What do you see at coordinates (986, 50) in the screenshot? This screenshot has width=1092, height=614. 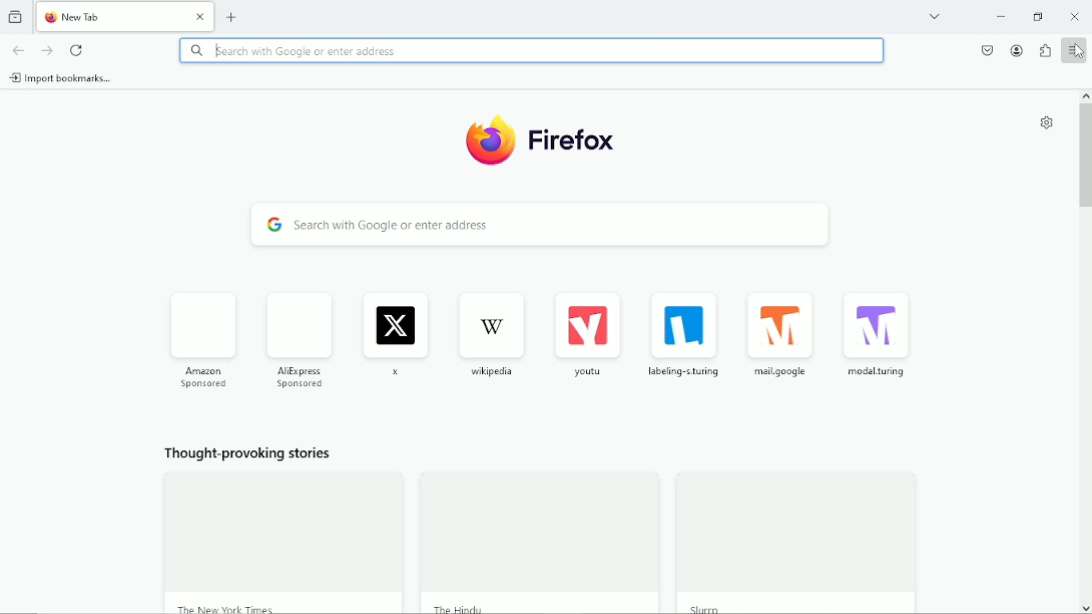 I see `save to pocket` at bounding box center [986, 50].